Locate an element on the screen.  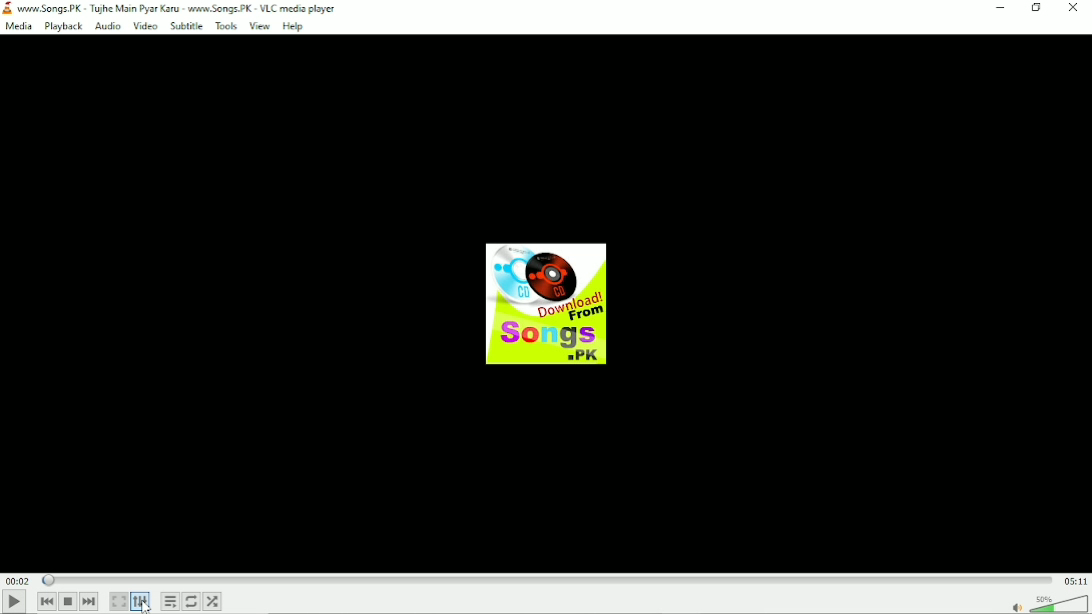
Audio track is located at coordinates (547, 303).